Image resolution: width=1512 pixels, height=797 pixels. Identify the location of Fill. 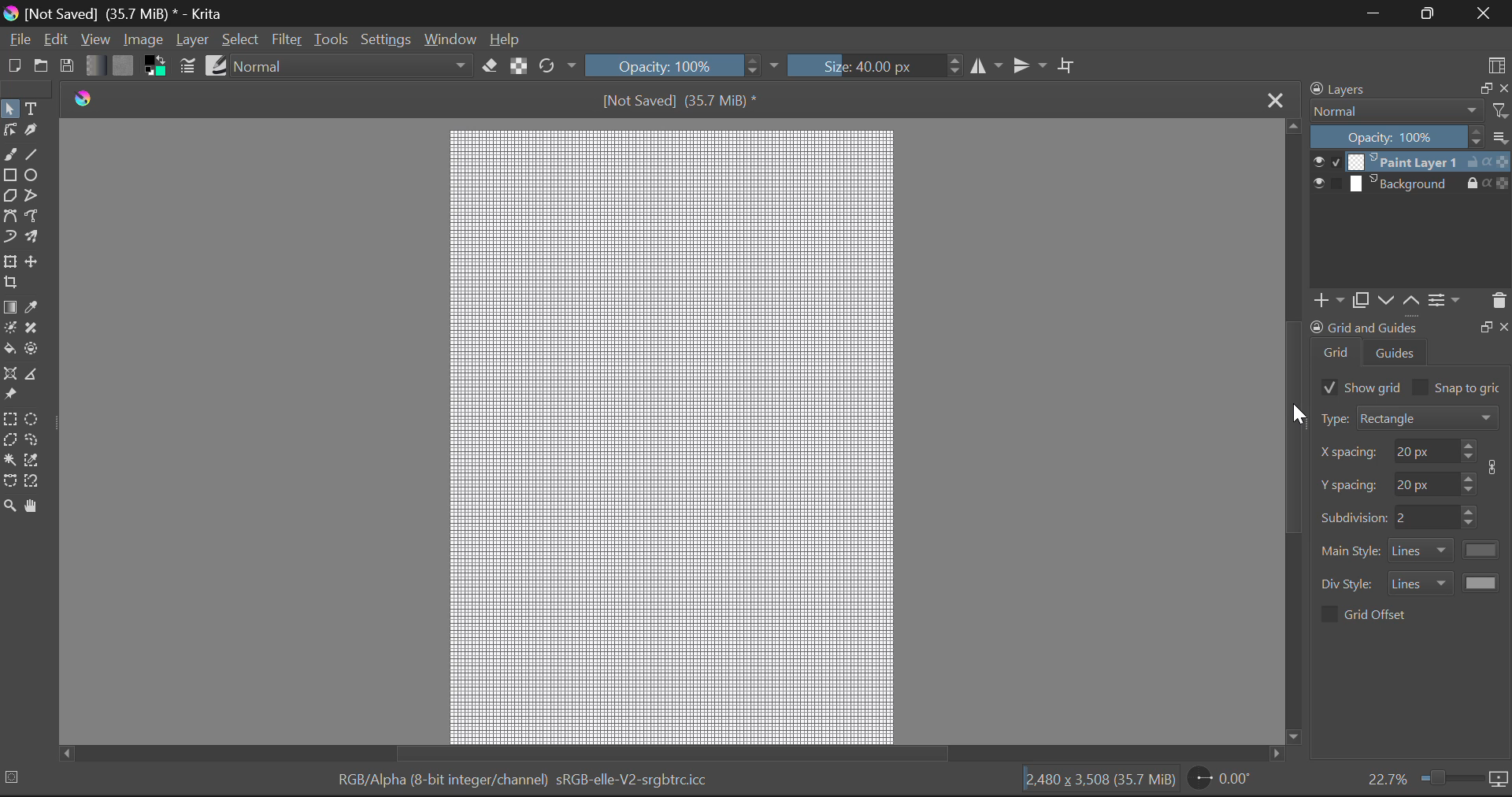
(9, 350).